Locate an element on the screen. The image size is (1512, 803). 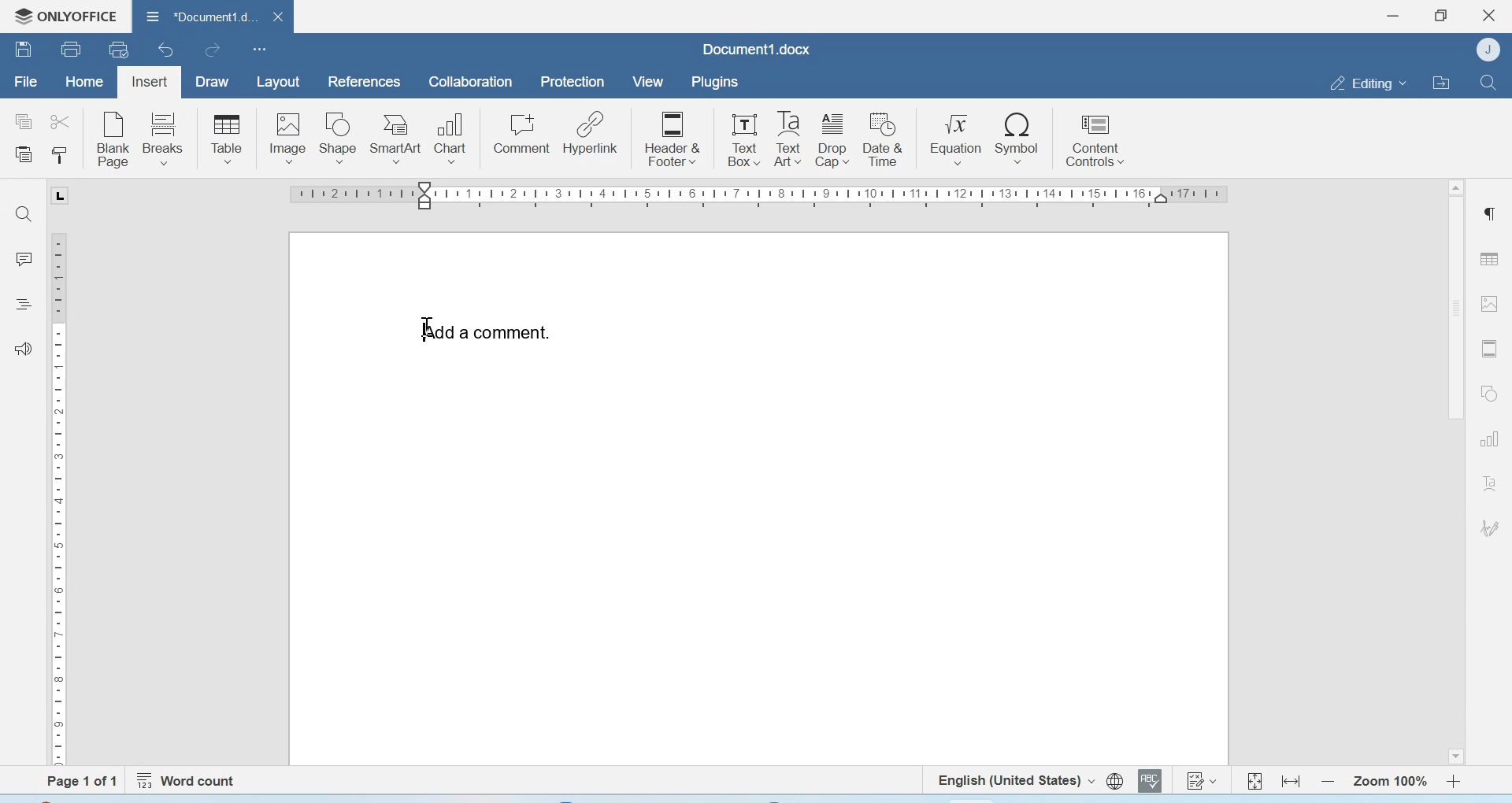
Content controls is located at coordinates (1094, 138).